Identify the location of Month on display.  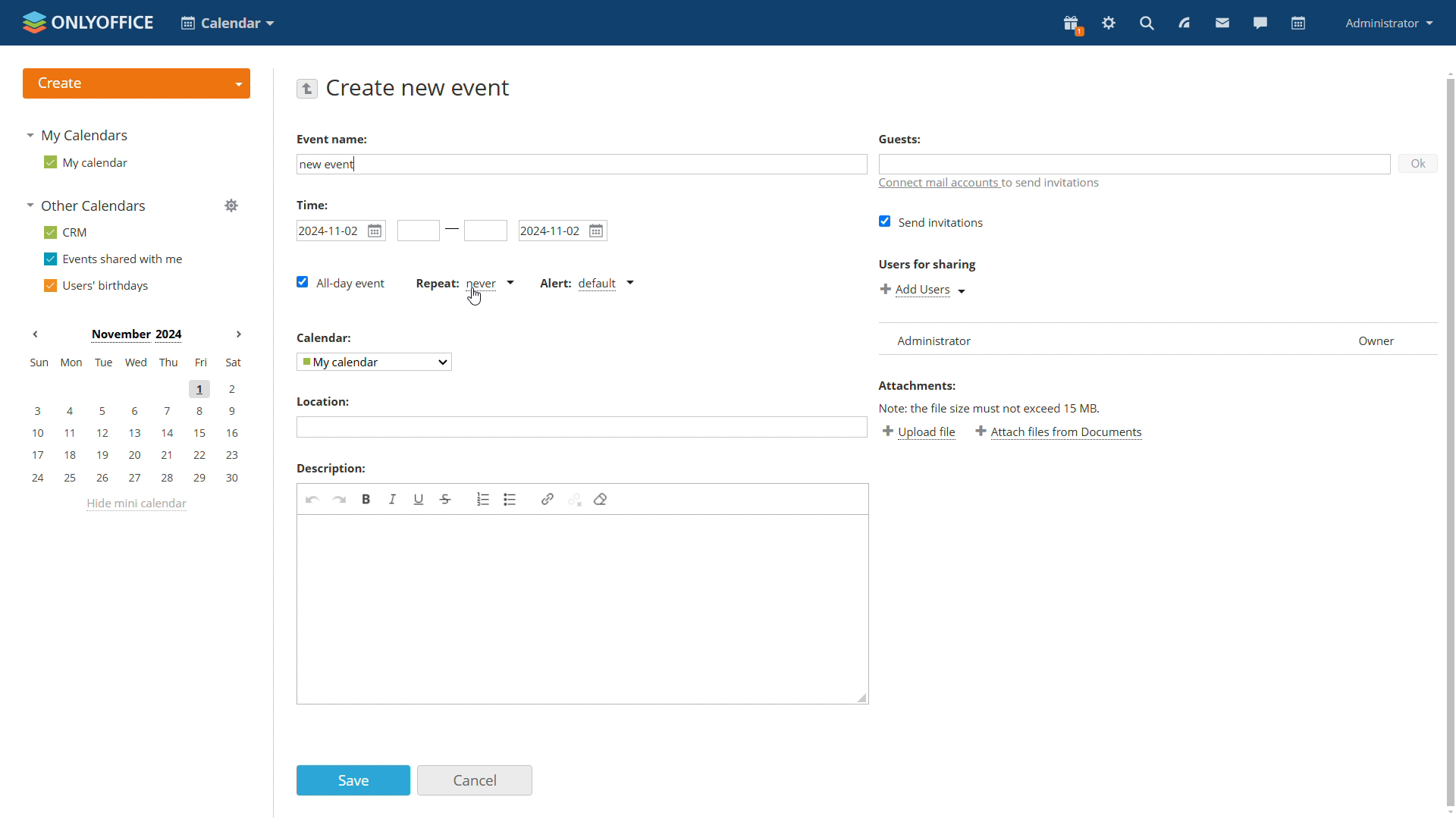
(136, 336).